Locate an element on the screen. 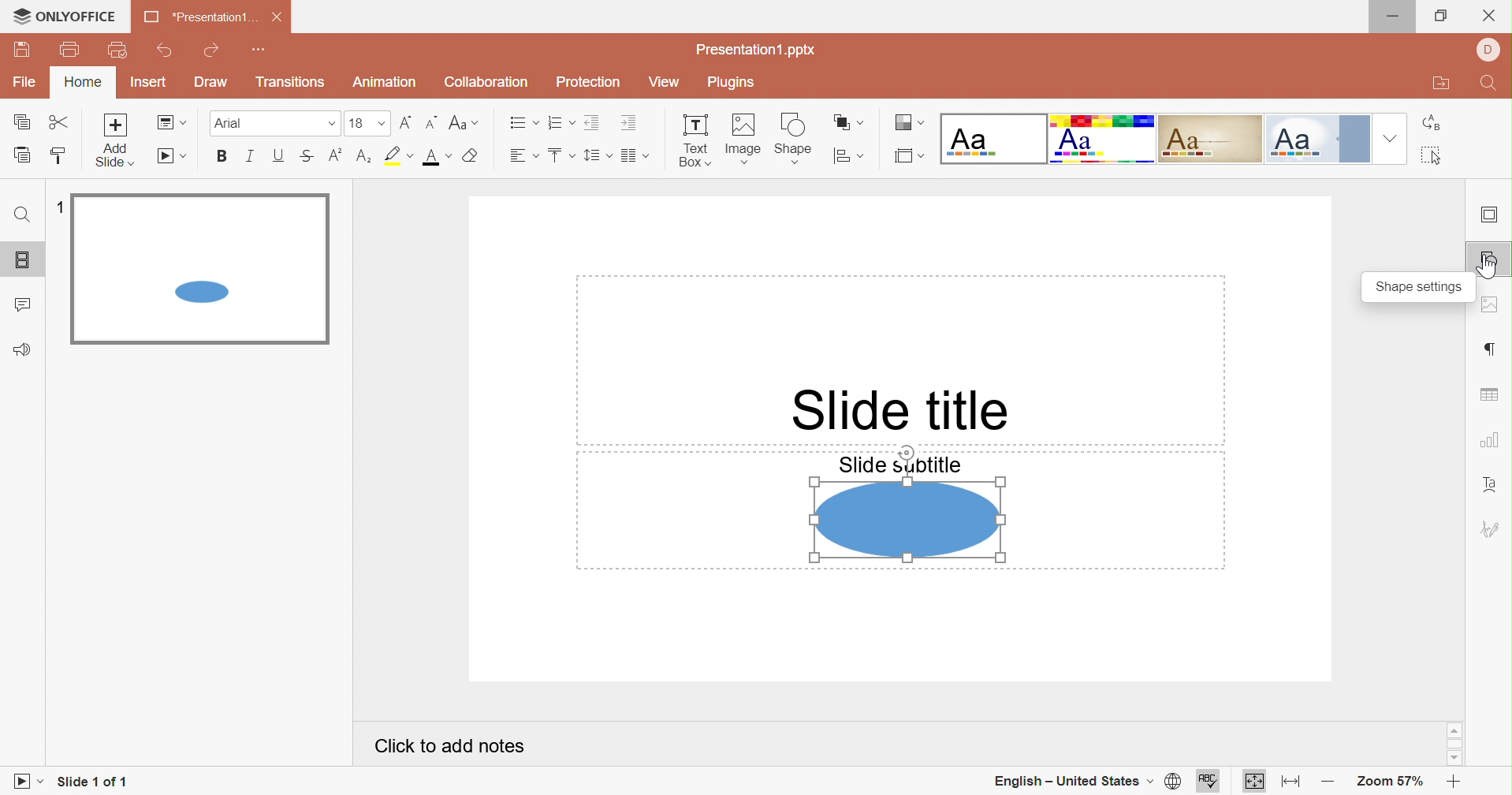 The height and width of the screenshot is (795, 1512). Presentation1.pptx is located at coordinates (757, 51).